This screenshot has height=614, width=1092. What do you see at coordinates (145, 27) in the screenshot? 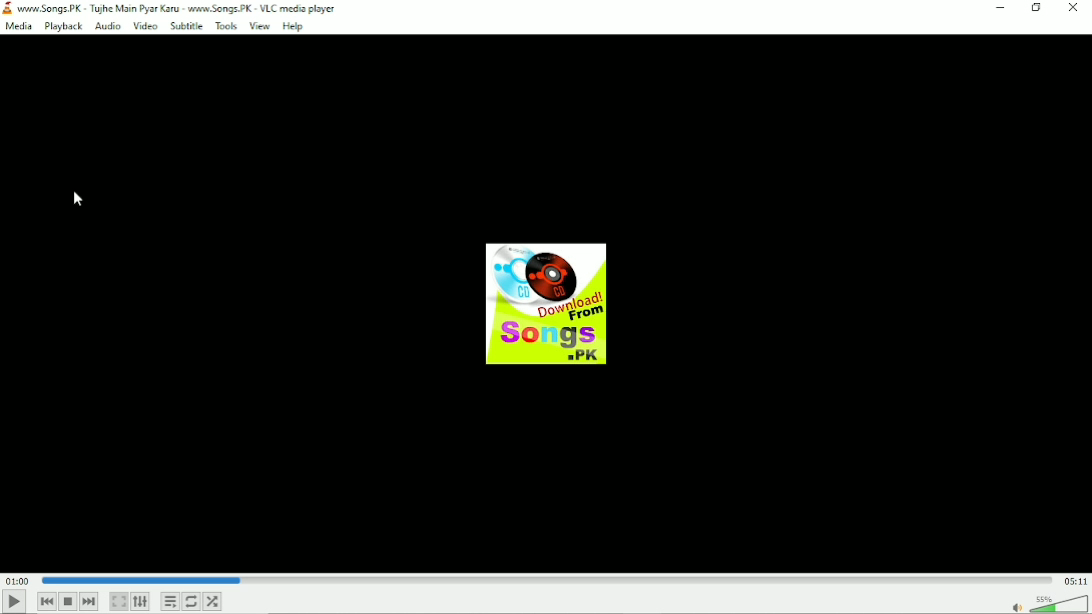
I see `Video` at bounding box center [145, 27].